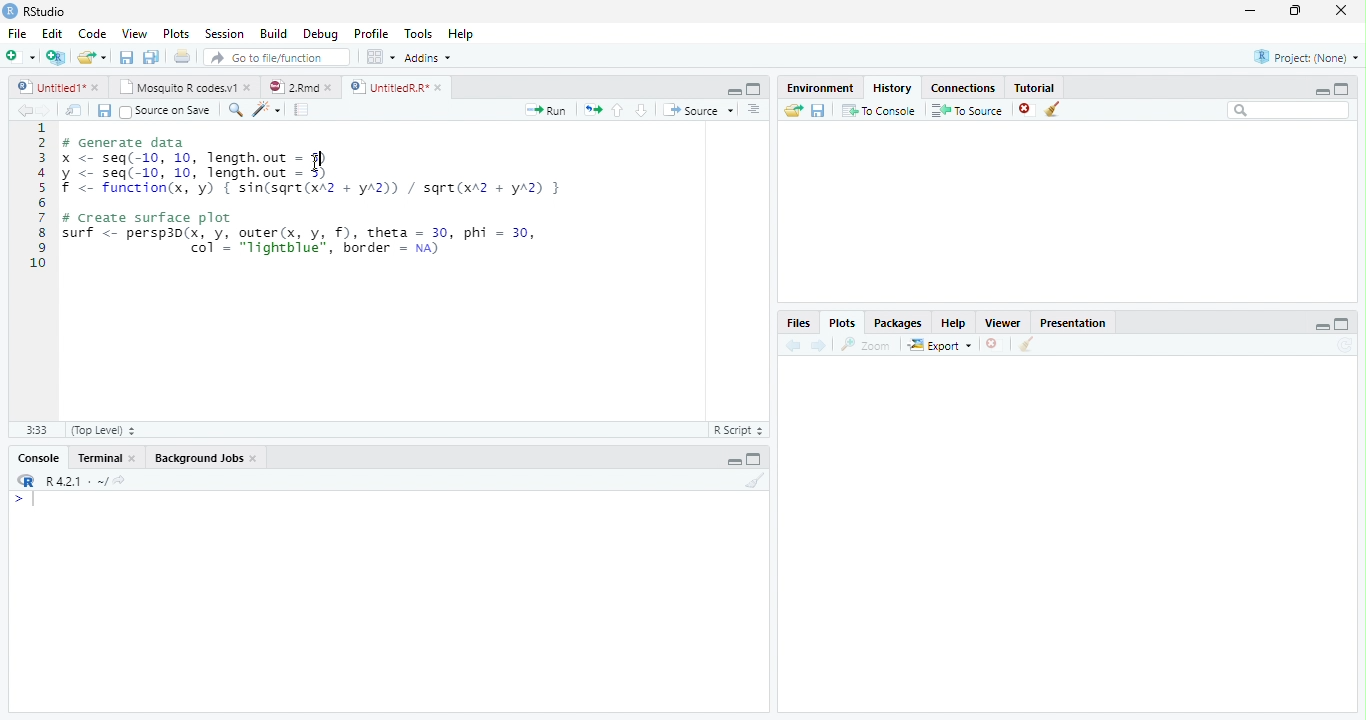  What do you see at coordinates (301, 109) in the screenshot?
I see `Compile Report` at bounding box center [301, 109].